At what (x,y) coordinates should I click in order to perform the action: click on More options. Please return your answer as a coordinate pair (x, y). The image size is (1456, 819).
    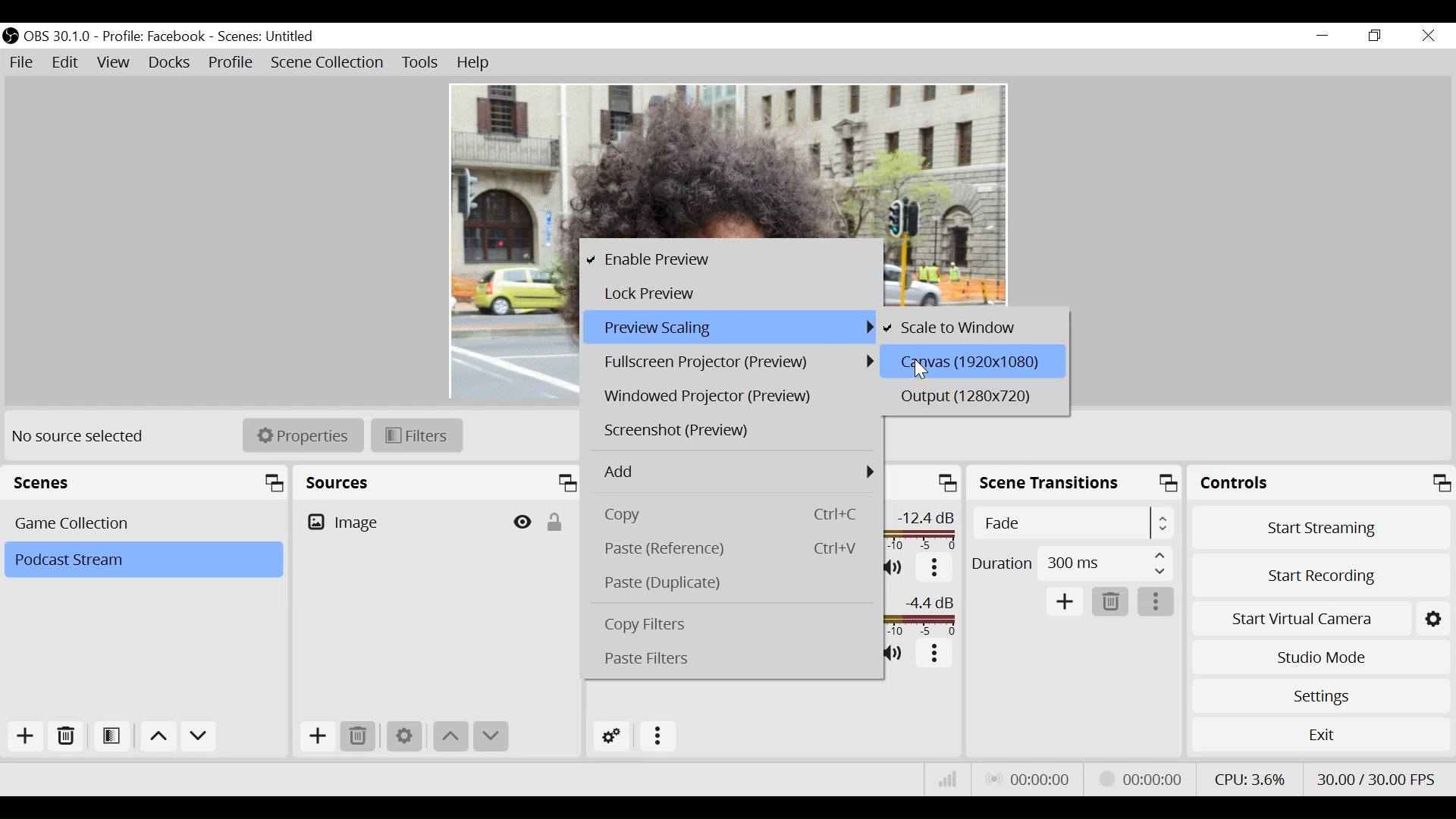
    Looking at the image, I should click on (1158, 601).